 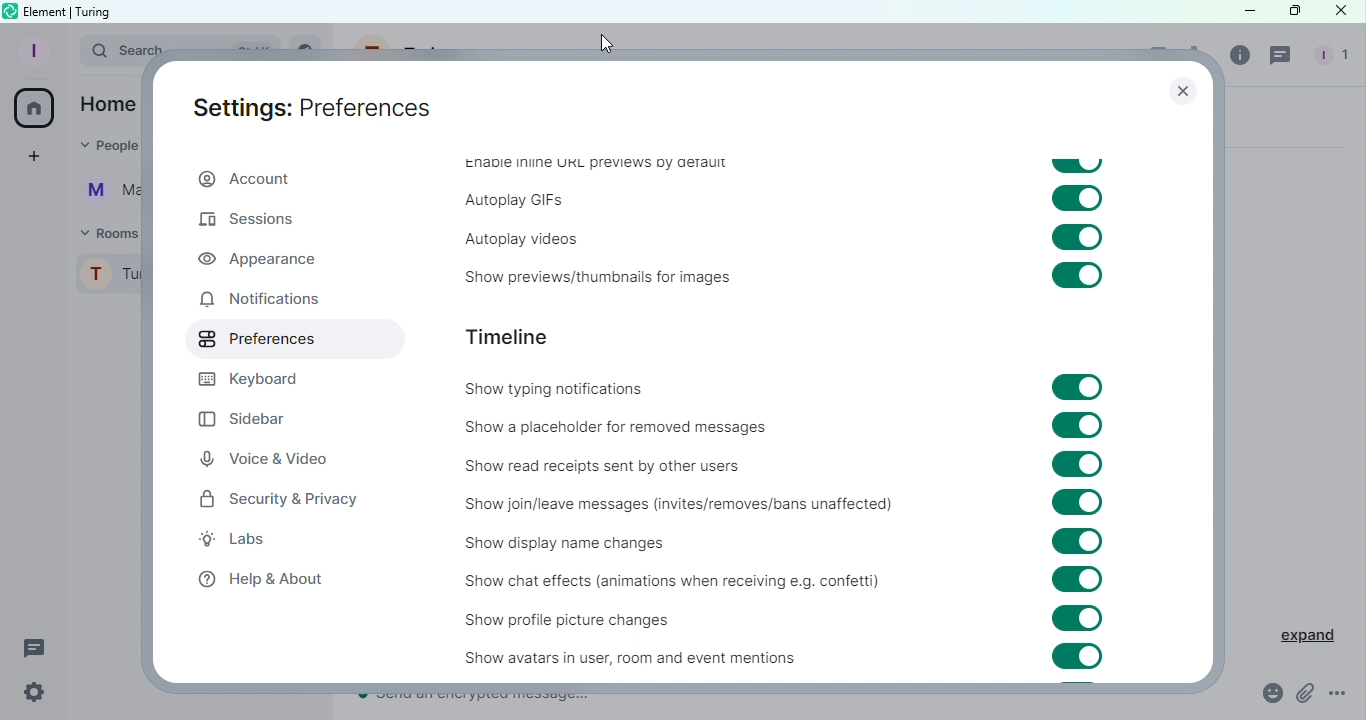 I want to click on SHow a placeholder for removed messages, so click(x=621, y=426).